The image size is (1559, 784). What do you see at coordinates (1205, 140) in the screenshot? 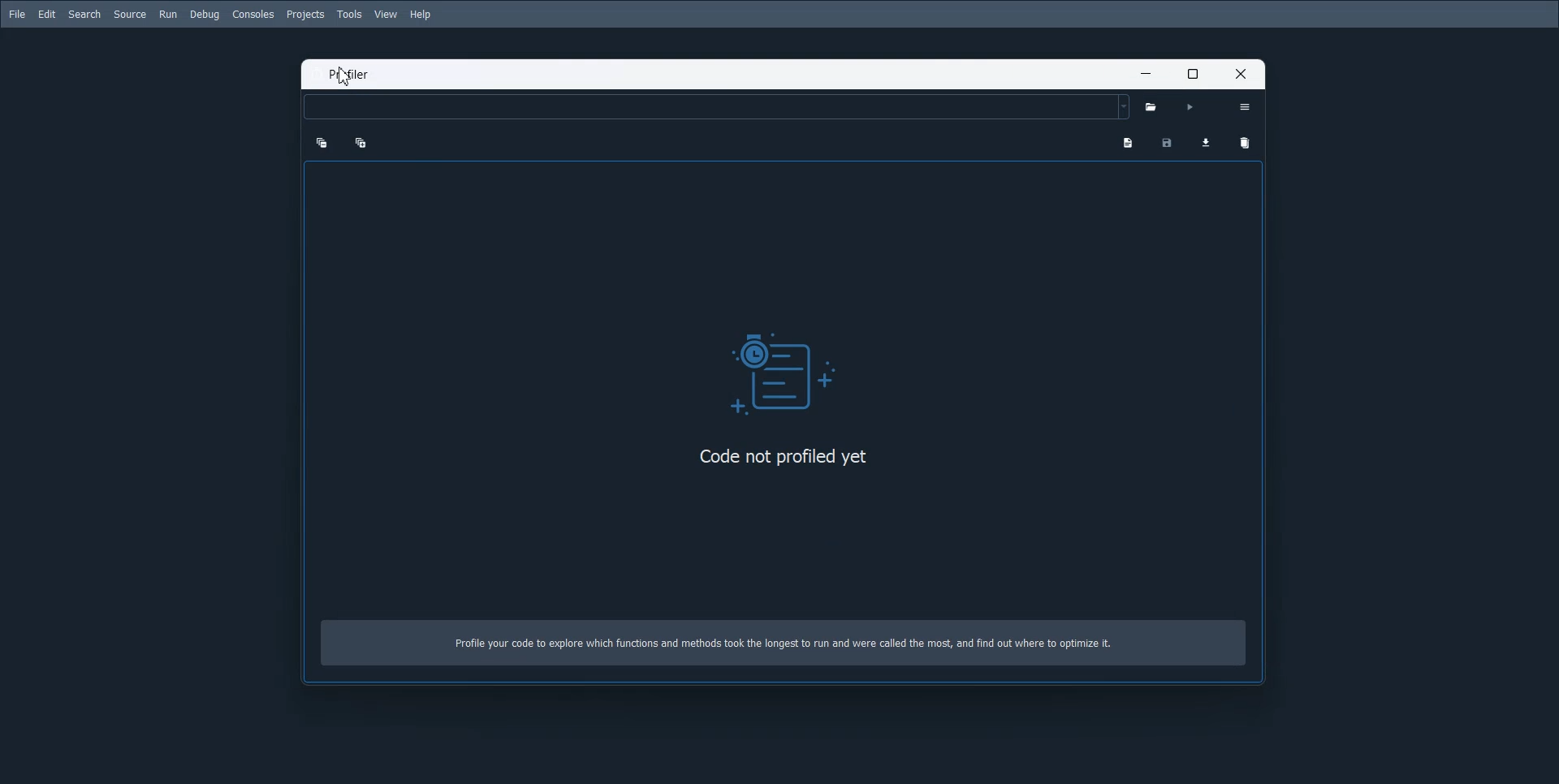
I see `Load profiling data for Comparison` at bounding box center [1205, 140].